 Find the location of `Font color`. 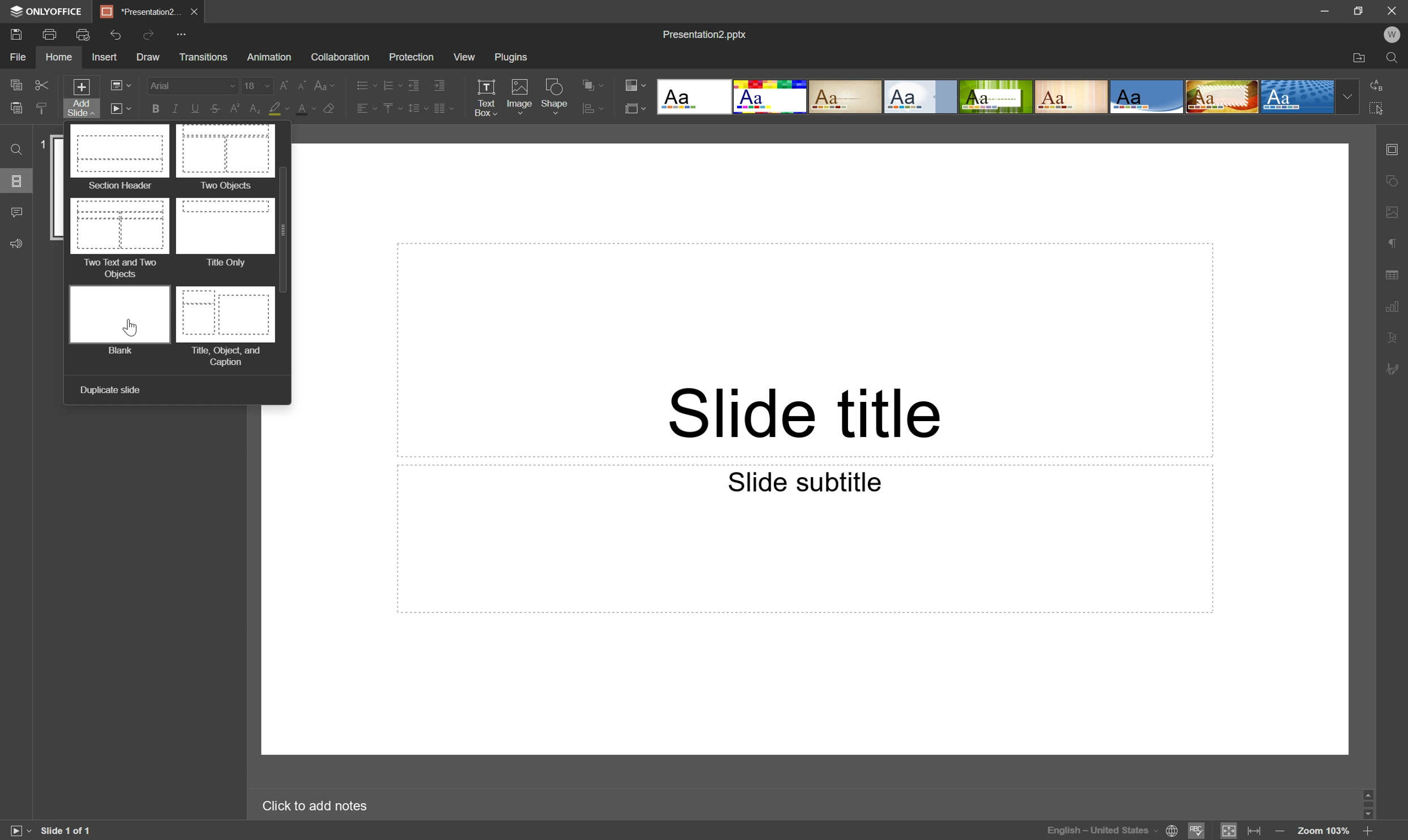

Font color is located at coordinates (303, 106).